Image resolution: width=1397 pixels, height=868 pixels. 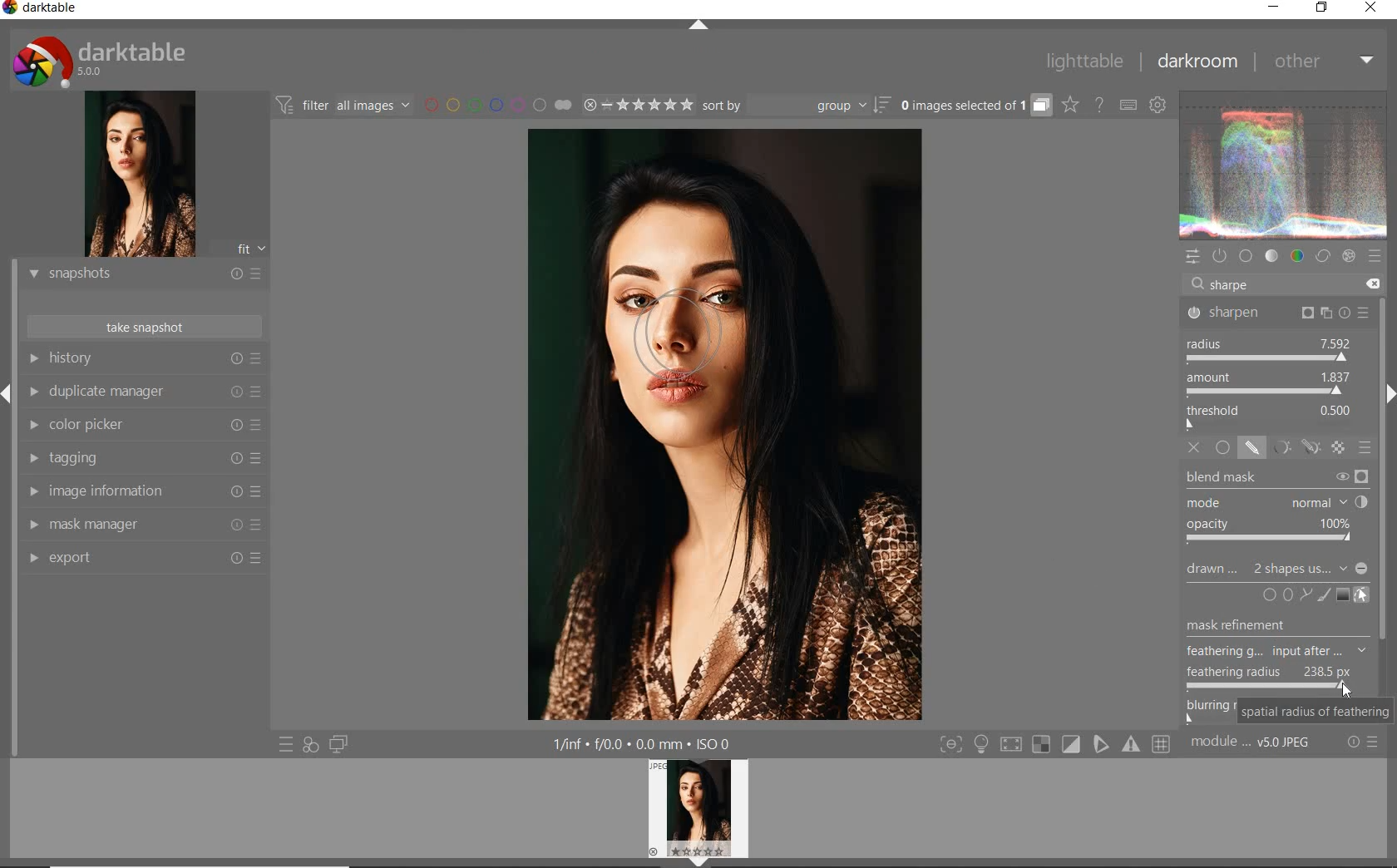 What do you see at coordinates (1289, 596) in the screenshot?
I see `signs ` at bounding box center [1289, 596].